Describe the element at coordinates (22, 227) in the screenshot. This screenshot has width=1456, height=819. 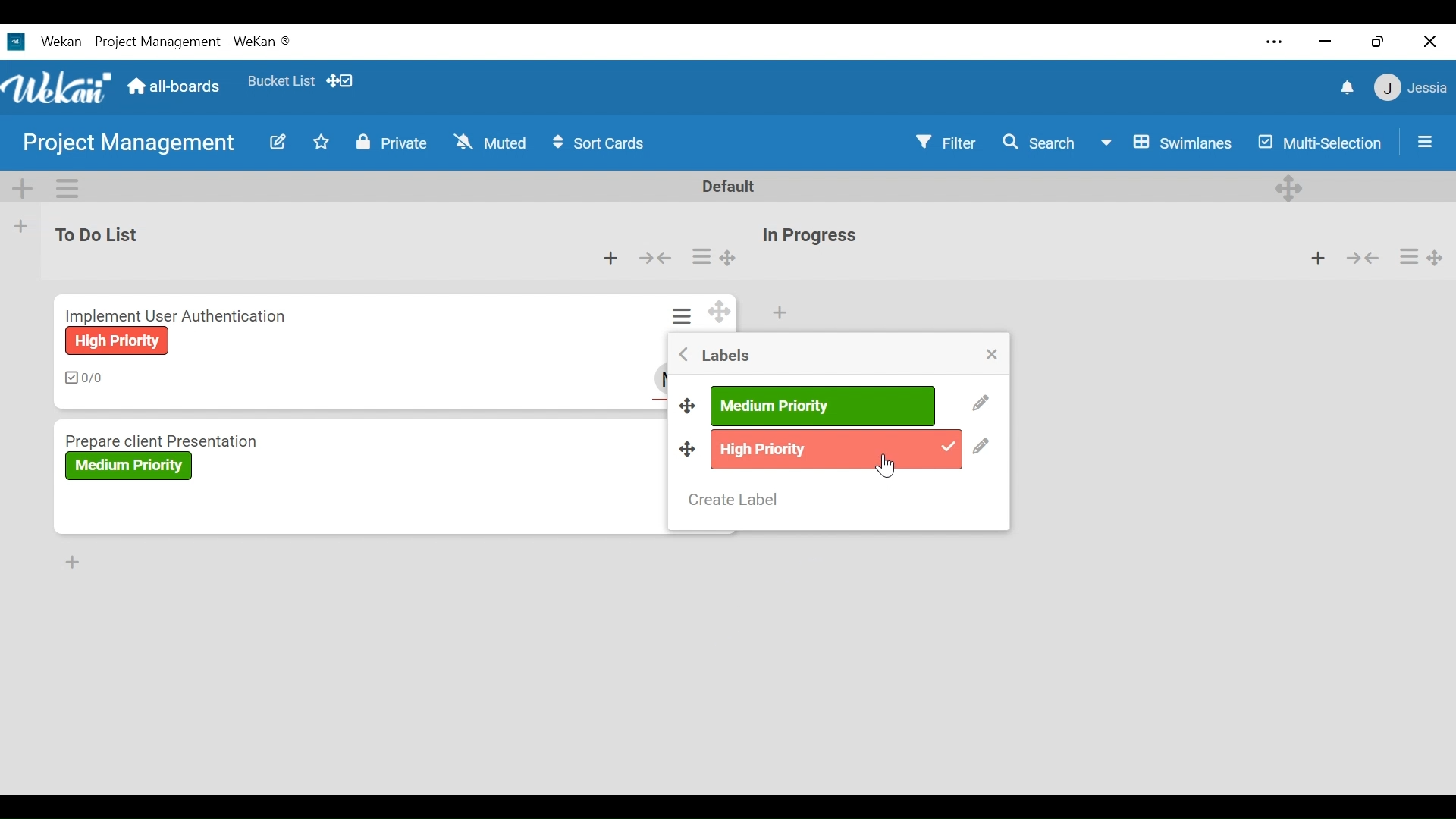
I see `Add list` at that location.